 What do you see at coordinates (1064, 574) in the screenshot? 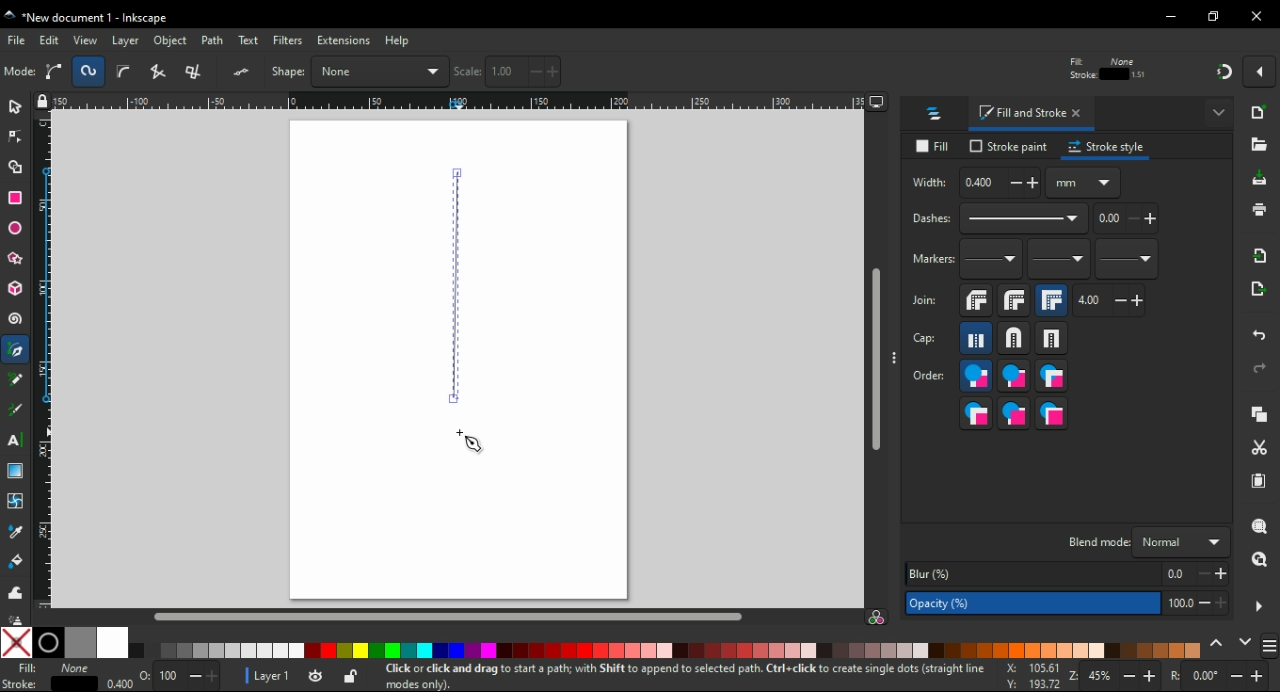
I see `blur` at bounding box center [1064, 574].